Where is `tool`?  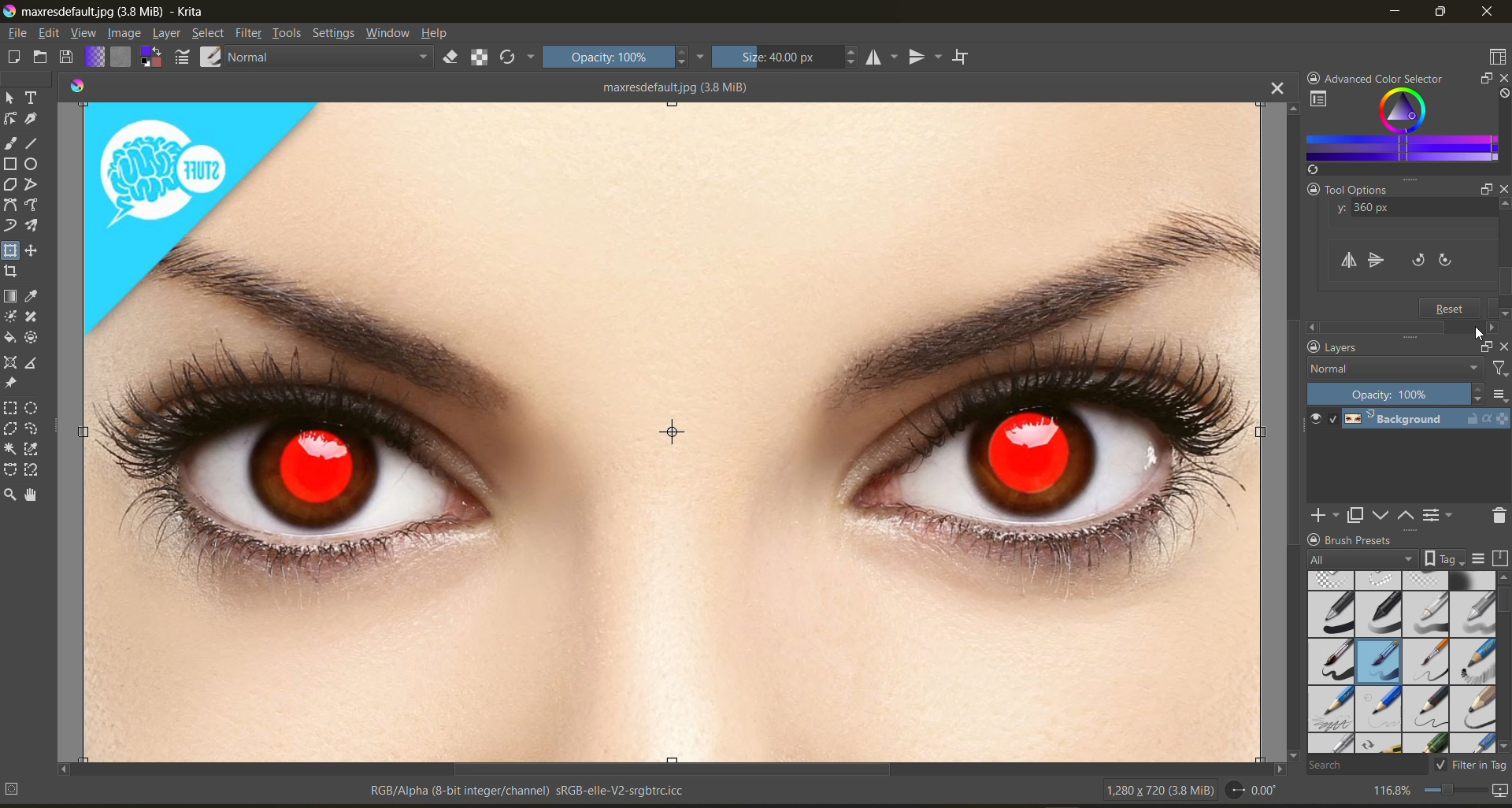 tool is located at coordinates (9, 362).